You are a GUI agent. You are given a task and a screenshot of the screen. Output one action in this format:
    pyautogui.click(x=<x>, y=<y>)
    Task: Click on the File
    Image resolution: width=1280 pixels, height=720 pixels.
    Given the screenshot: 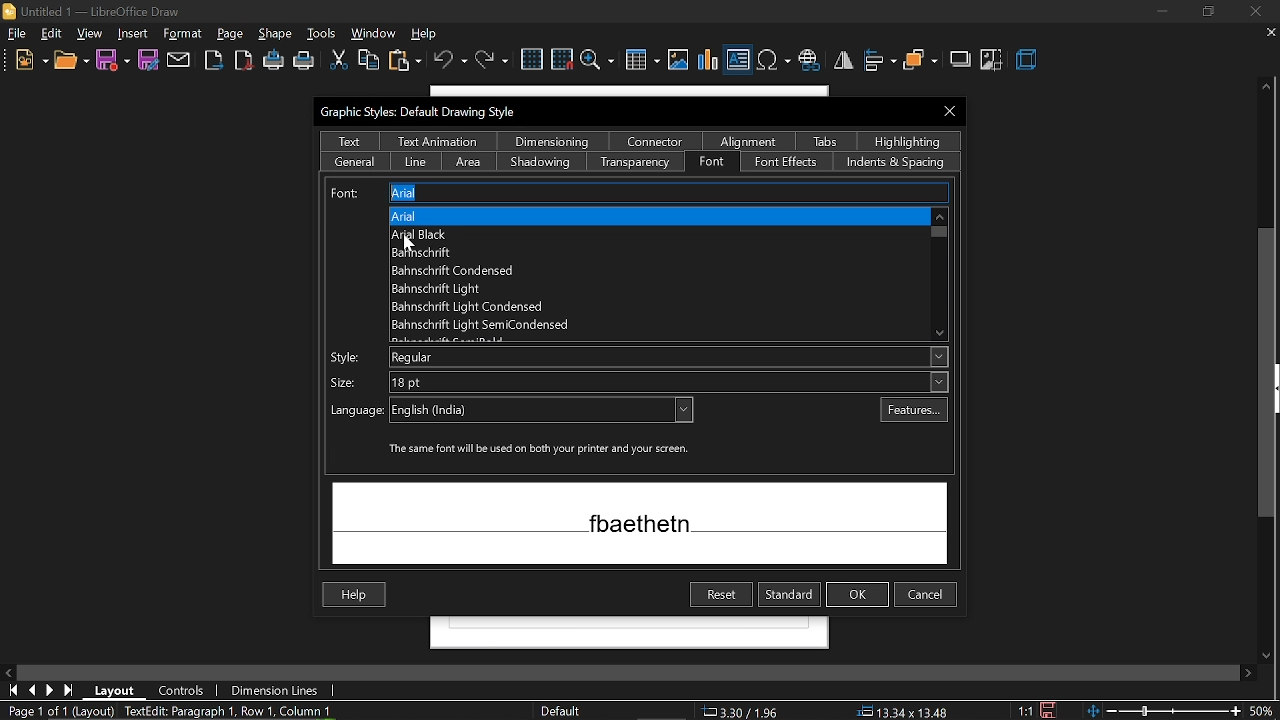 What is the action you would take?
    pyautogui.click(x=17, y=33)
    